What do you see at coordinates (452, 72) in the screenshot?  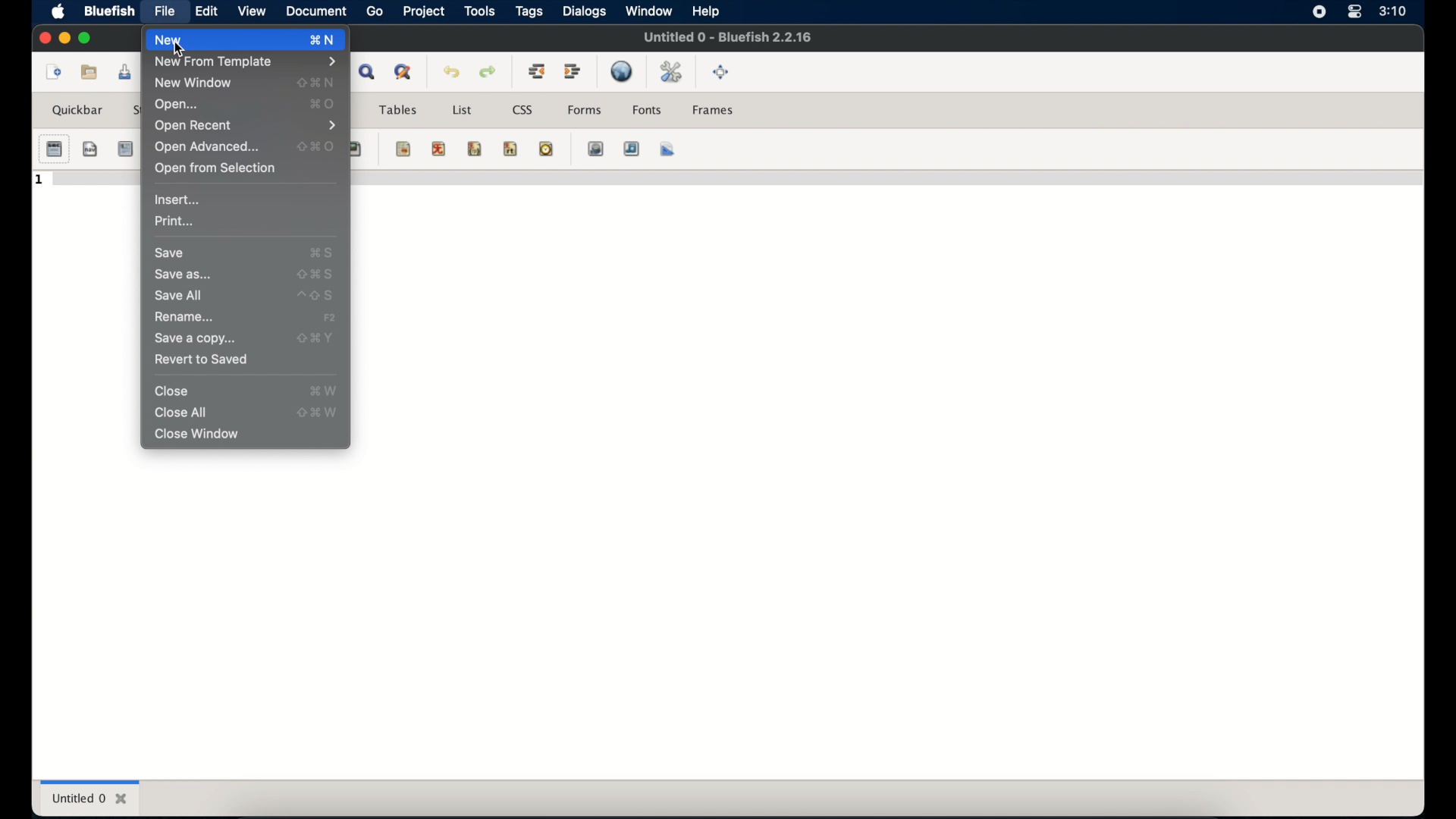 I see `undo` at bounding box center [452, 72].